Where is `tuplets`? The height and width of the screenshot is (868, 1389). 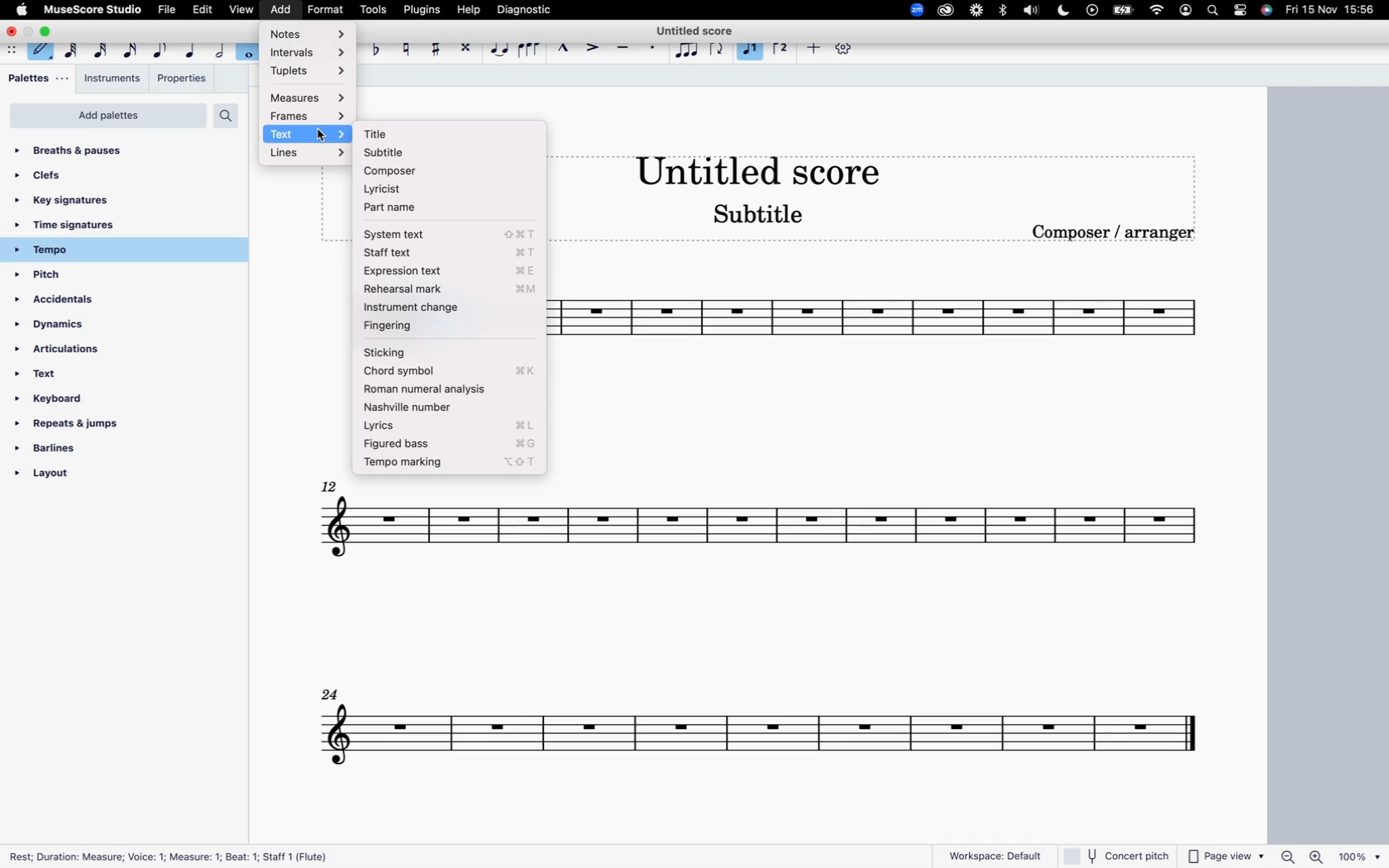
tuplets is located at coordinates (308, 74).